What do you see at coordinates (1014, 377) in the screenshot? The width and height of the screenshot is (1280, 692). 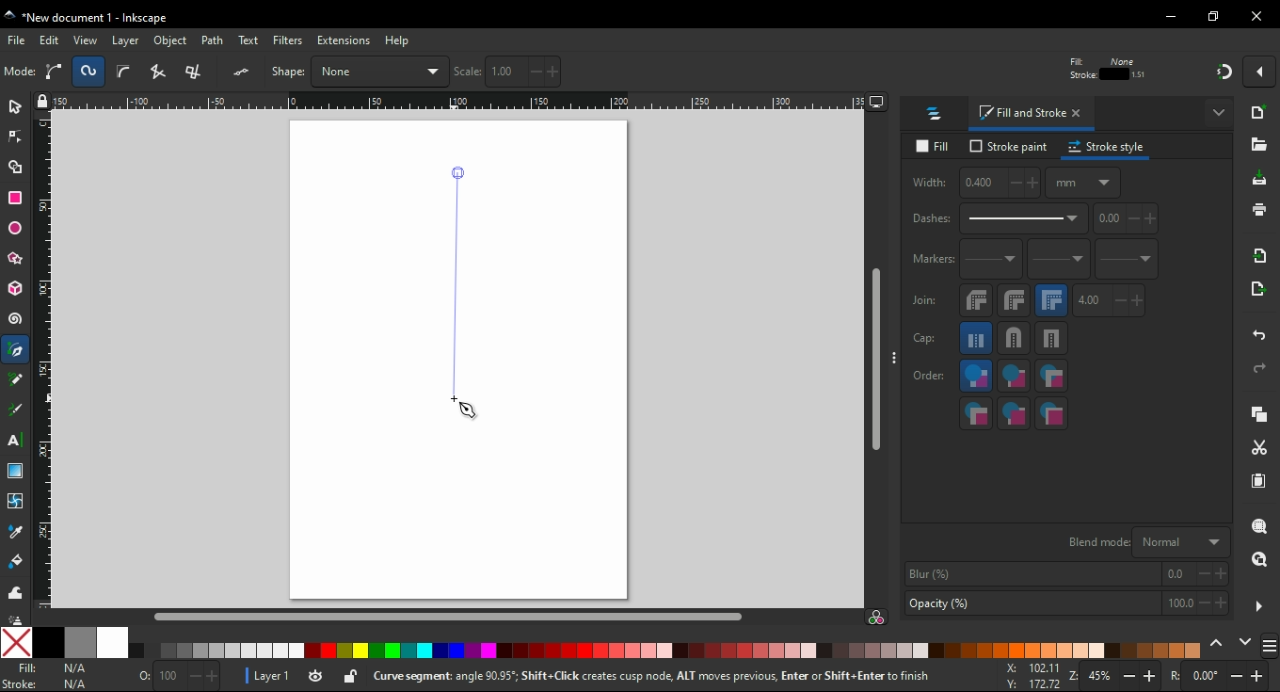 I see `stroke,fill,markers` at bounding box center [1014, 377].